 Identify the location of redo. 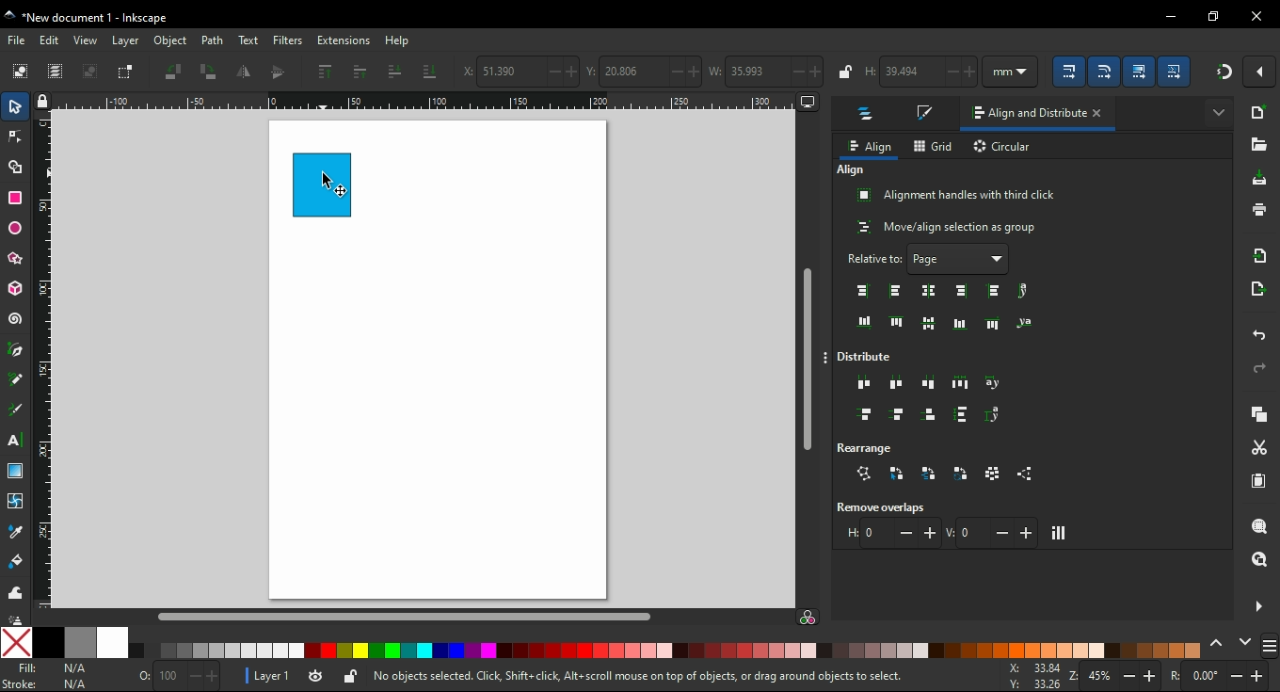
(1260, 368).